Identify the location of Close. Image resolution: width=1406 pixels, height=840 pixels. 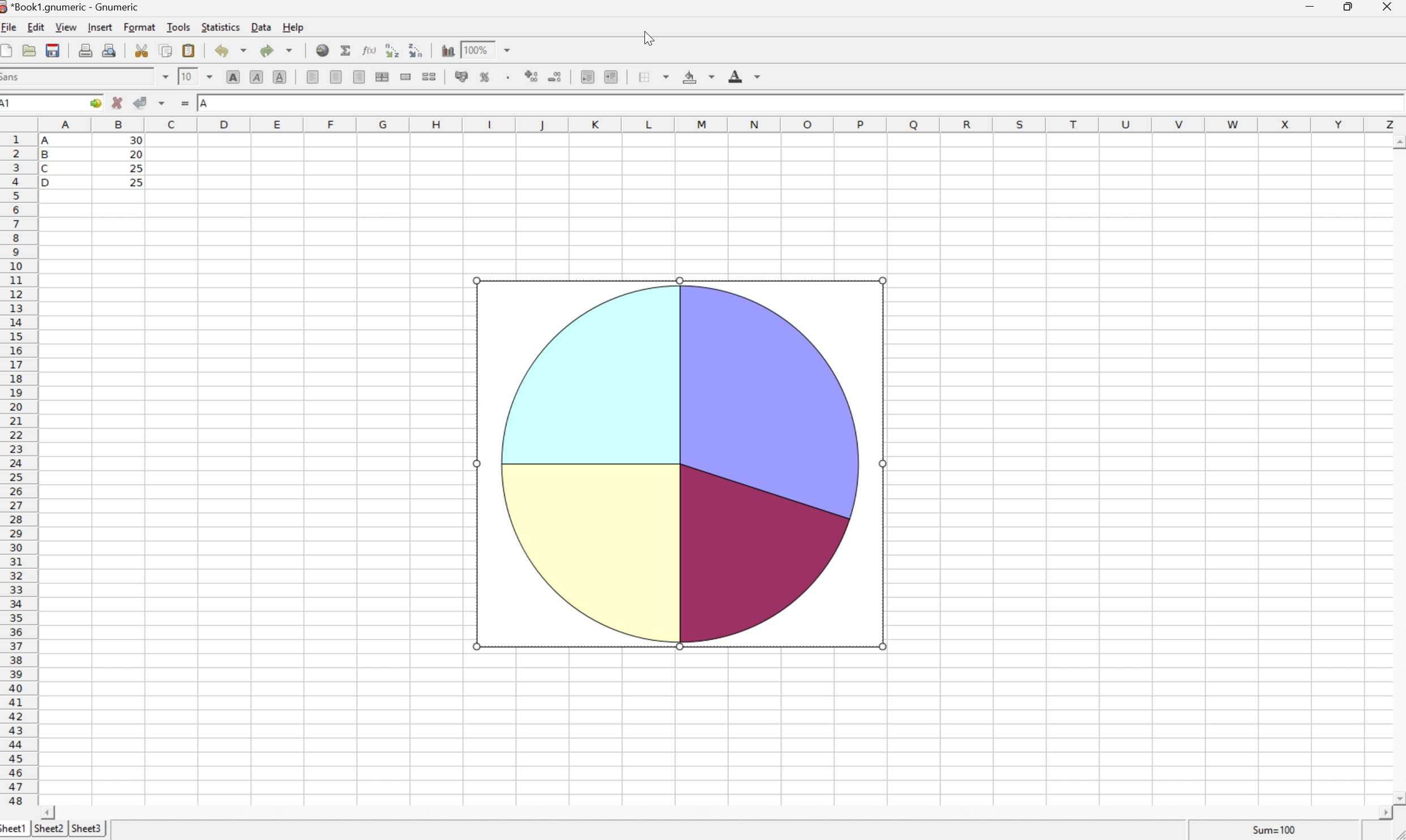
(1388, 7).